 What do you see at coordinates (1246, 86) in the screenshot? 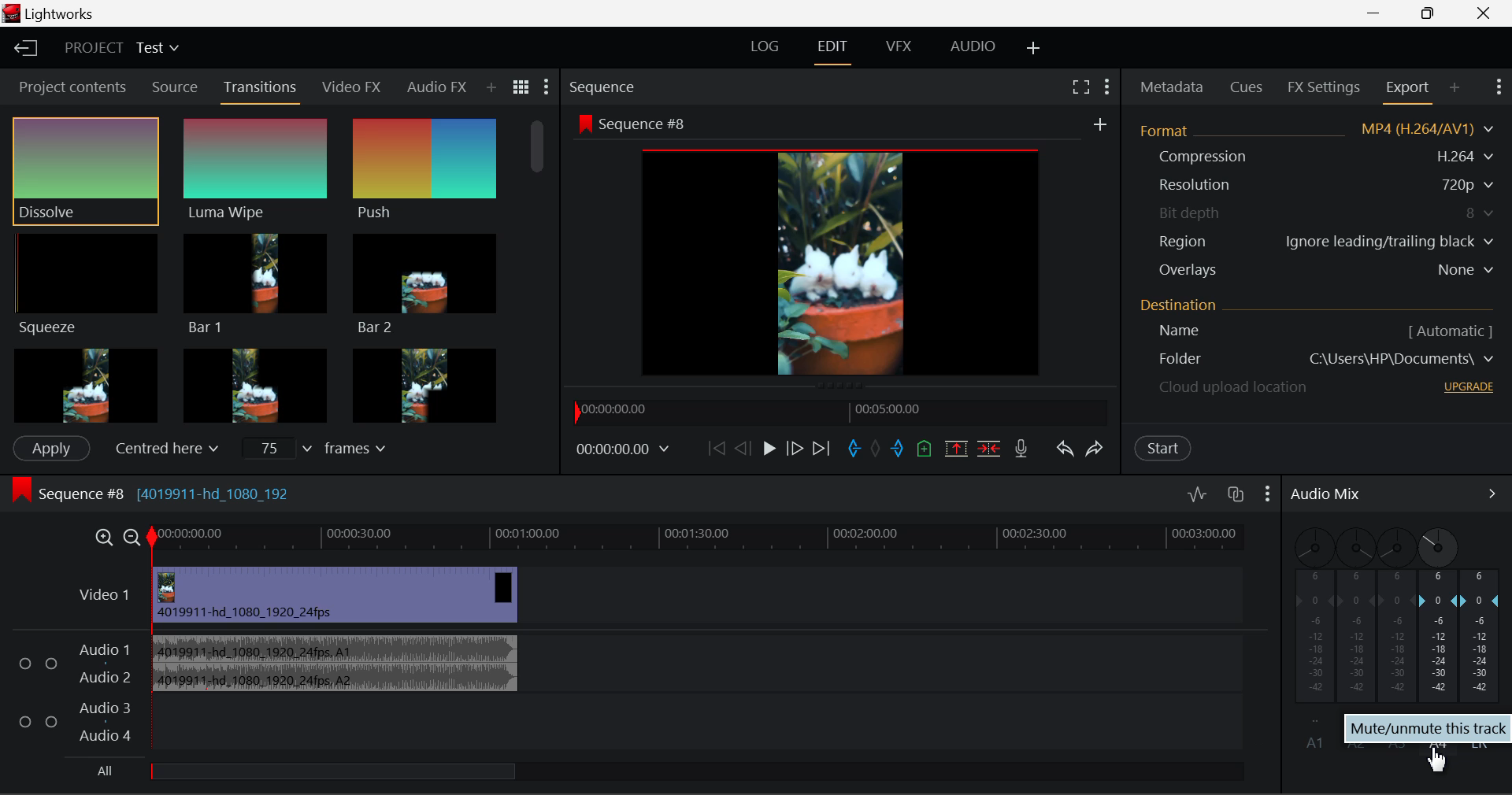
I see `Cues` at bounding box center [1246, 86].